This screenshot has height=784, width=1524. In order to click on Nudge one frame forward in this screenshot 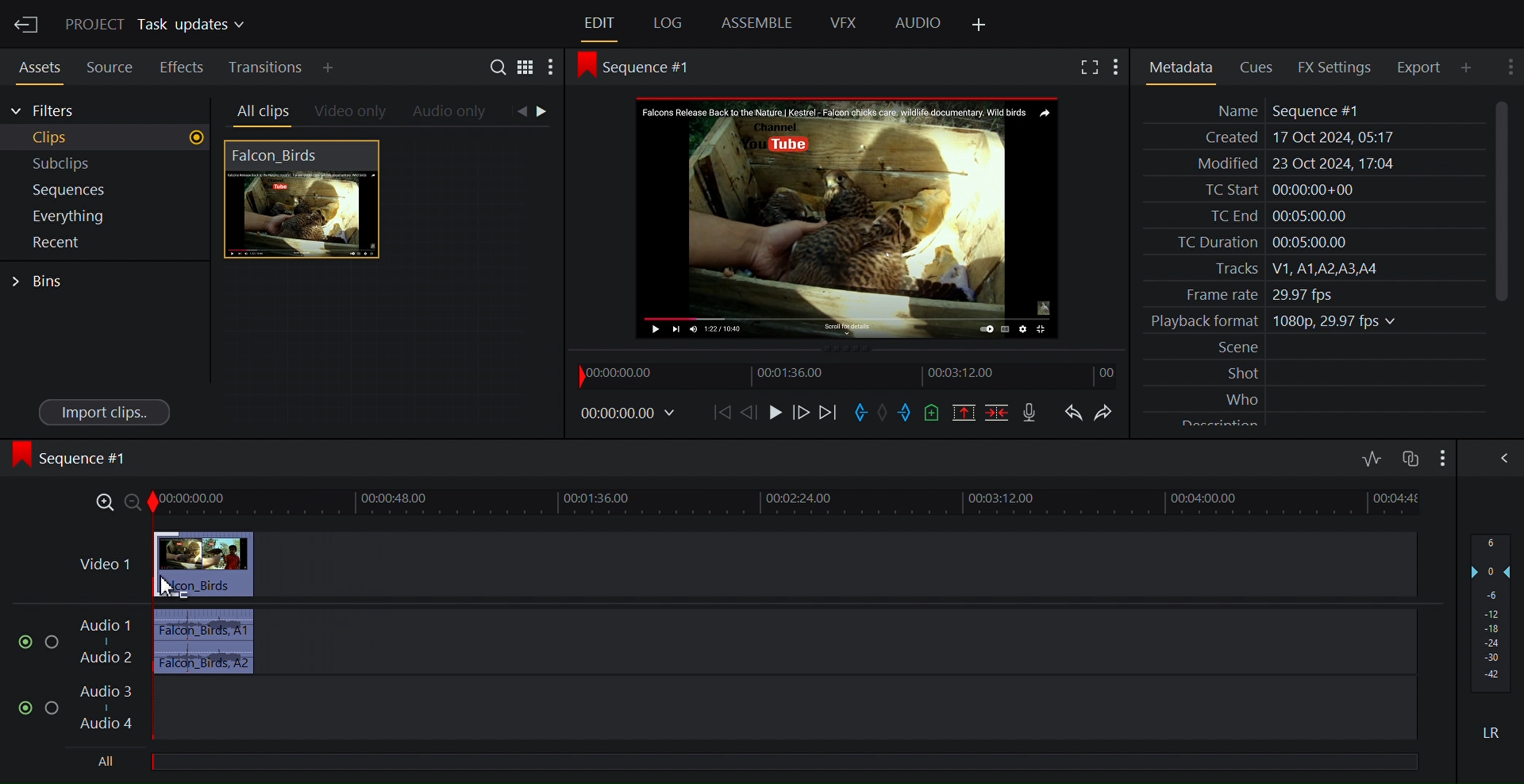, I will do `click(754, 413)`.